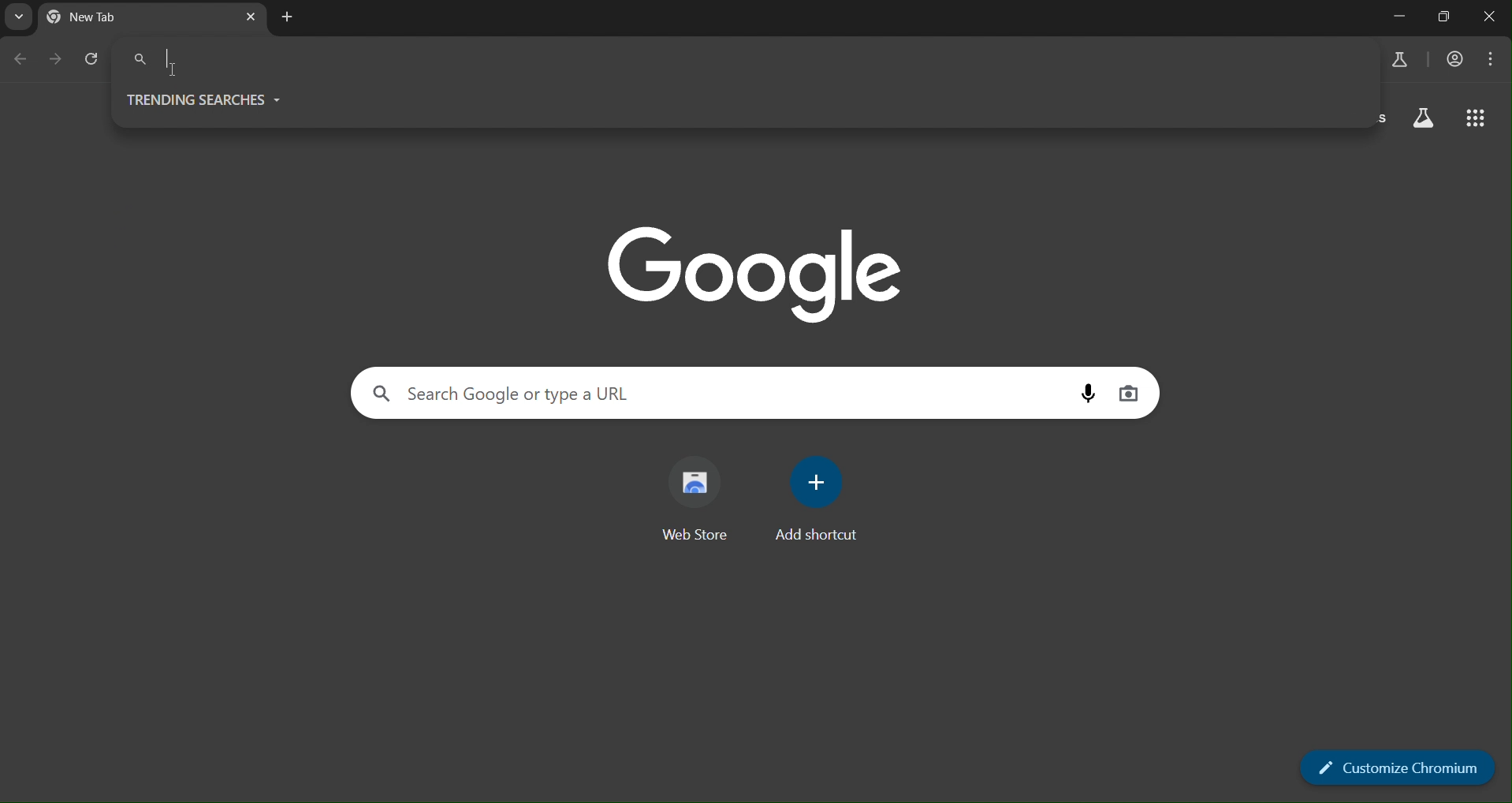 The width and height of the screenshot is (1512, 803). Describe the element at coordinates (1426, 119) in the screenshot. I see `search labs` at that location.